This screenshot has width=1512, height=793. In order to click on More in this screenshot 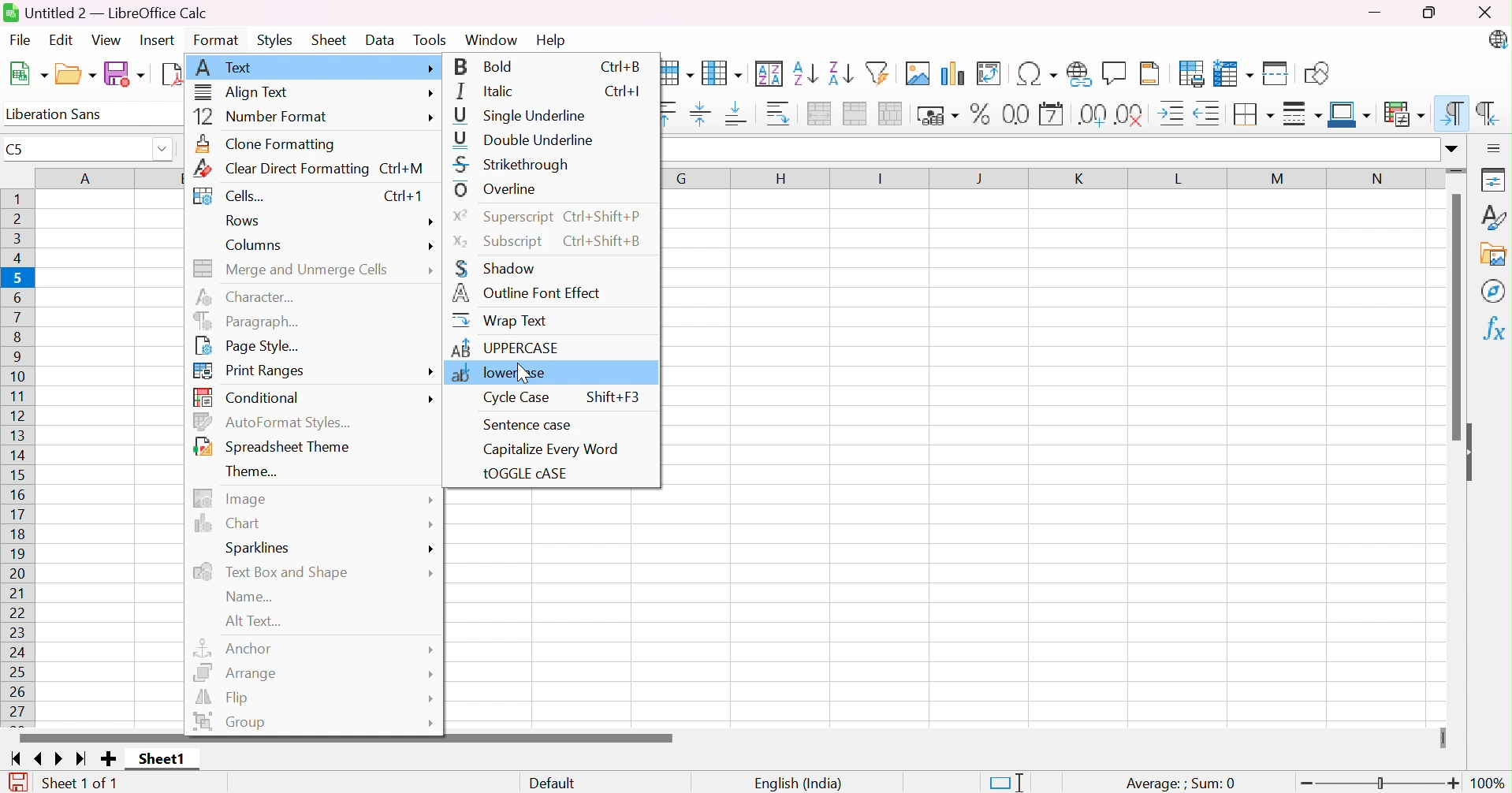, I will do `click(430, 524)`.